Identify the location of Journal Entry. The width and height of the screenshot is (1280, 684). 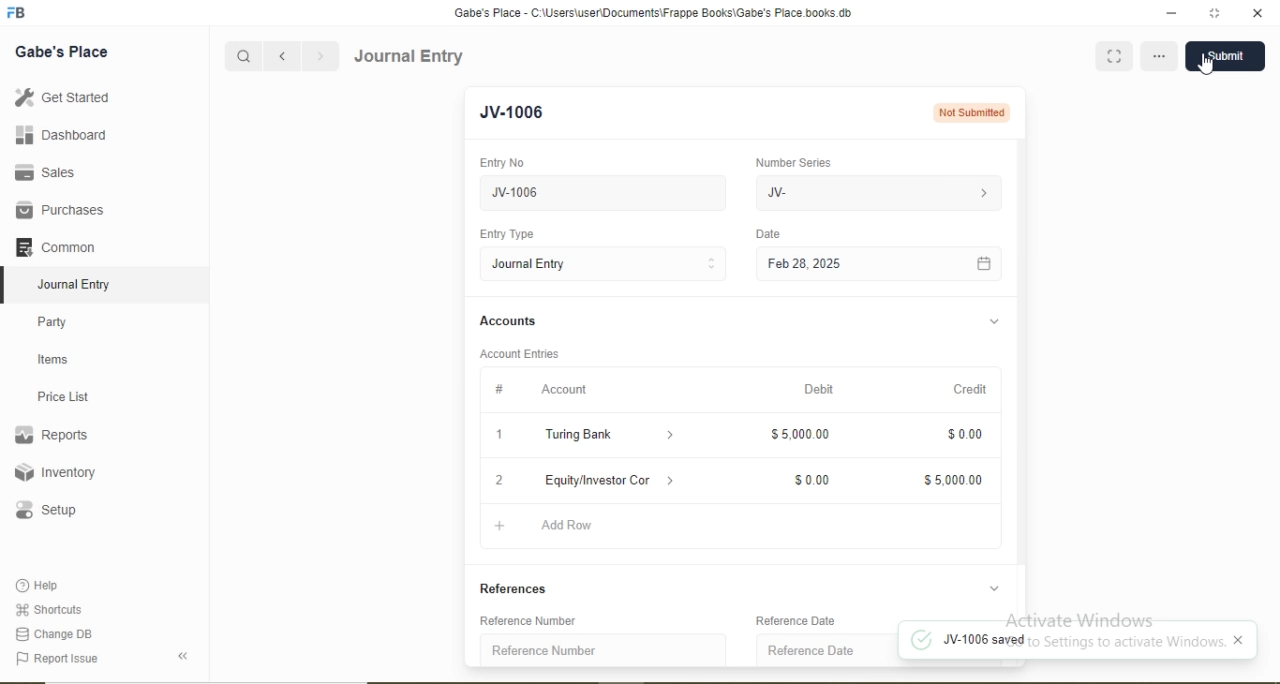
(76, 285).